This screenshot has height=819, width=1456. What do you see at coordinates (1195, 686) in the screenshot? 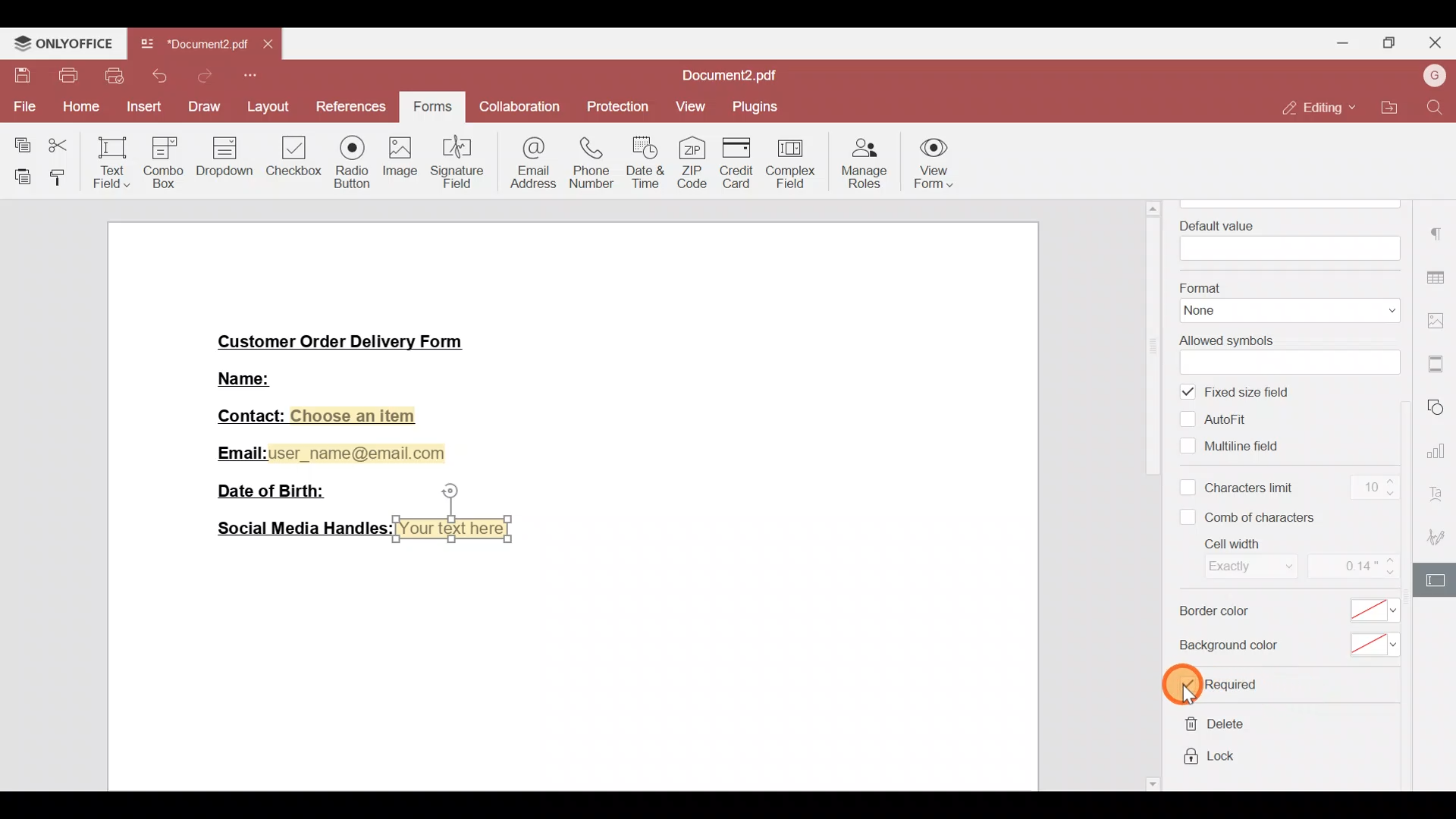
I see `Cursor` at bounding box center [1195, 686].